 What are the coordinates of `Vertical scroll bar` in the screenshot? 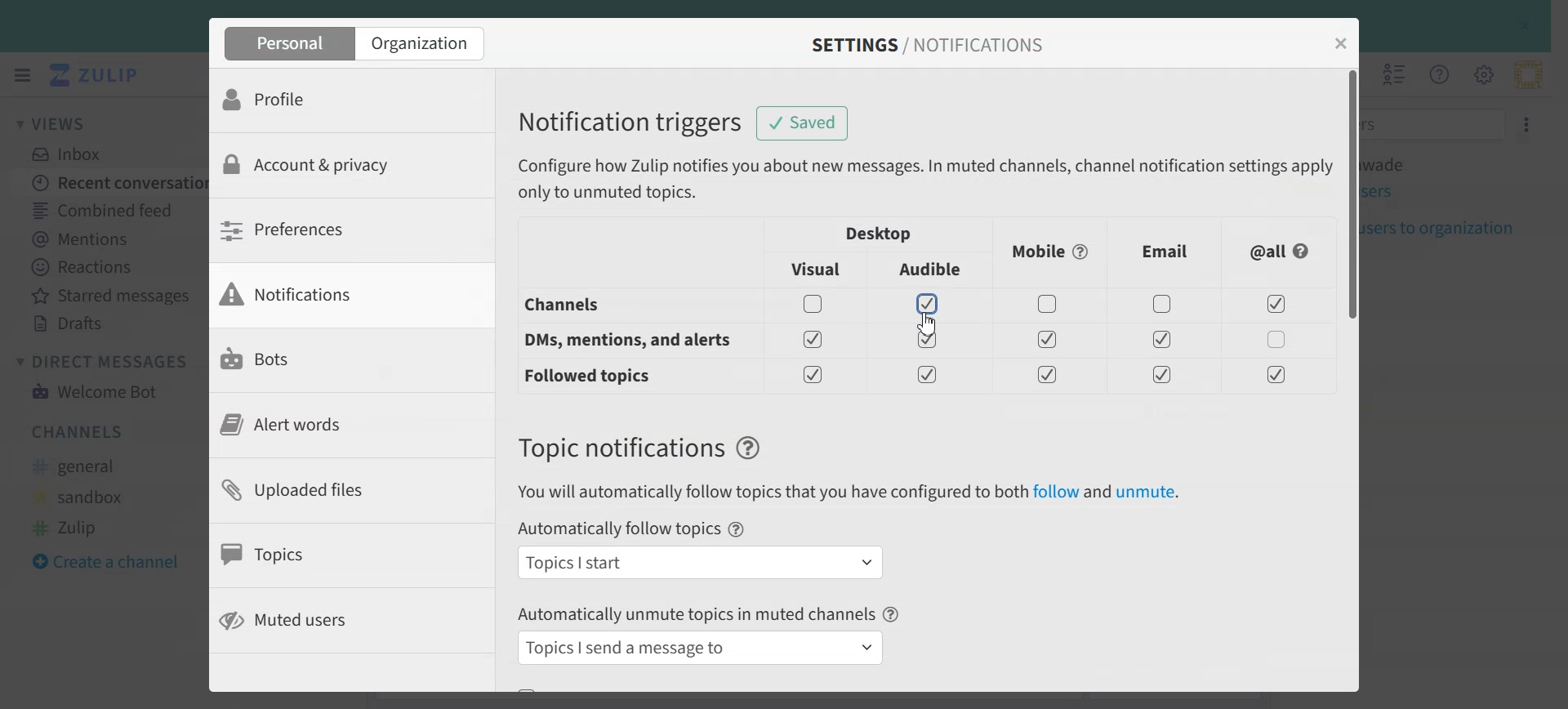 It's located at (1352, 379).